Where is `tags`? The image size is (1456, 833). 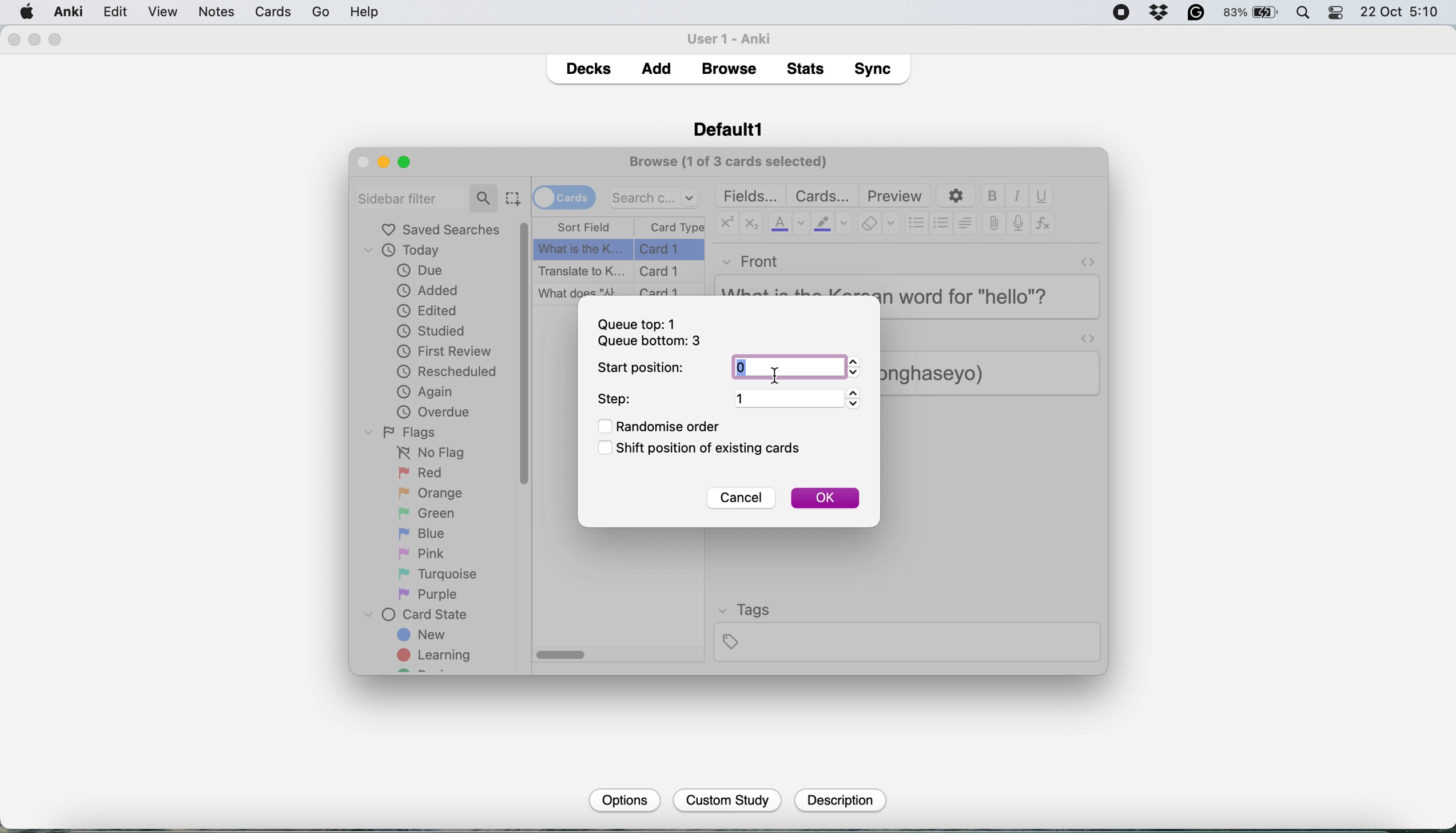 tags is located at coordinates (906, 631).